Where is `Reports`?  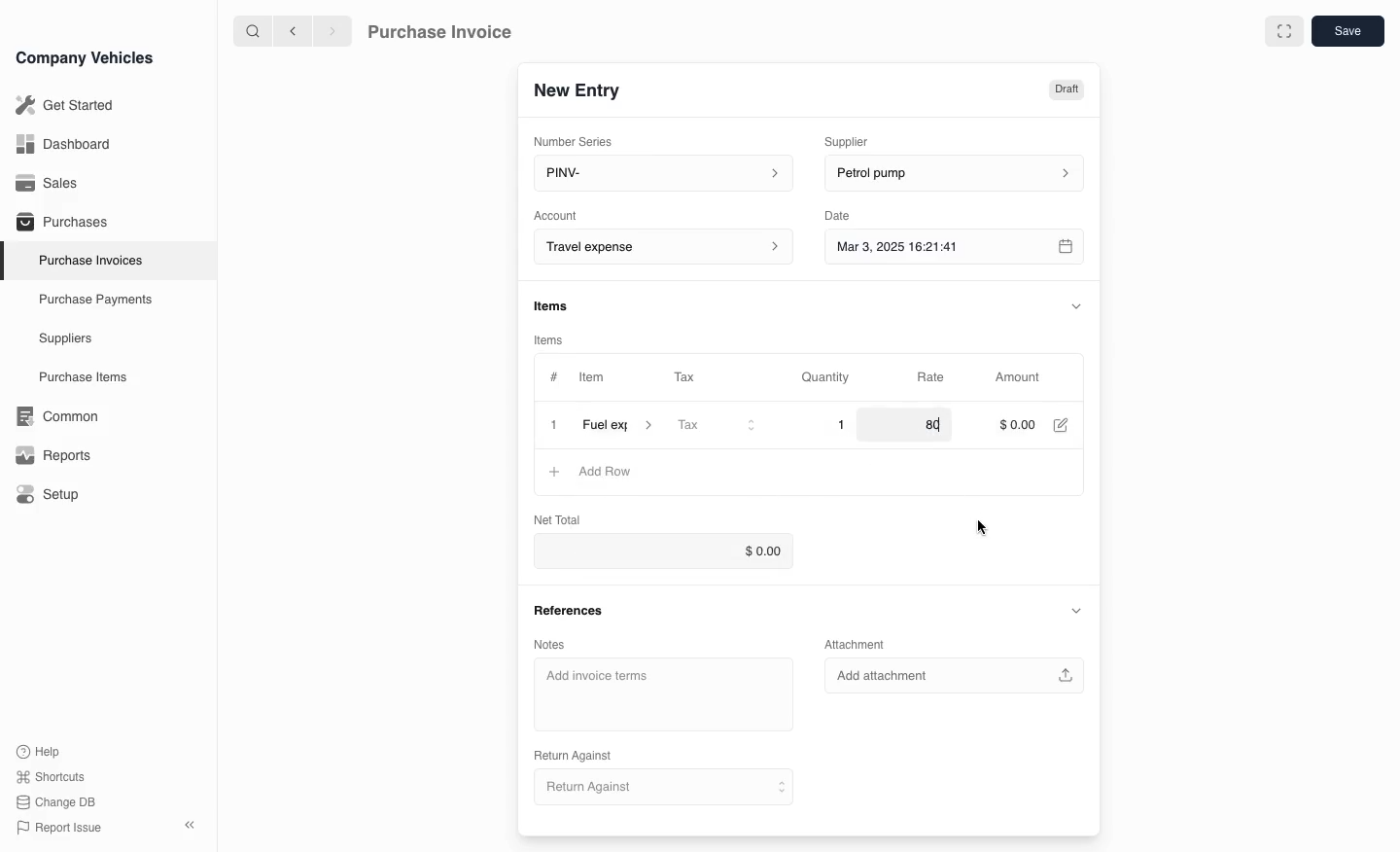
Reports is located at coordinates (53, 455).